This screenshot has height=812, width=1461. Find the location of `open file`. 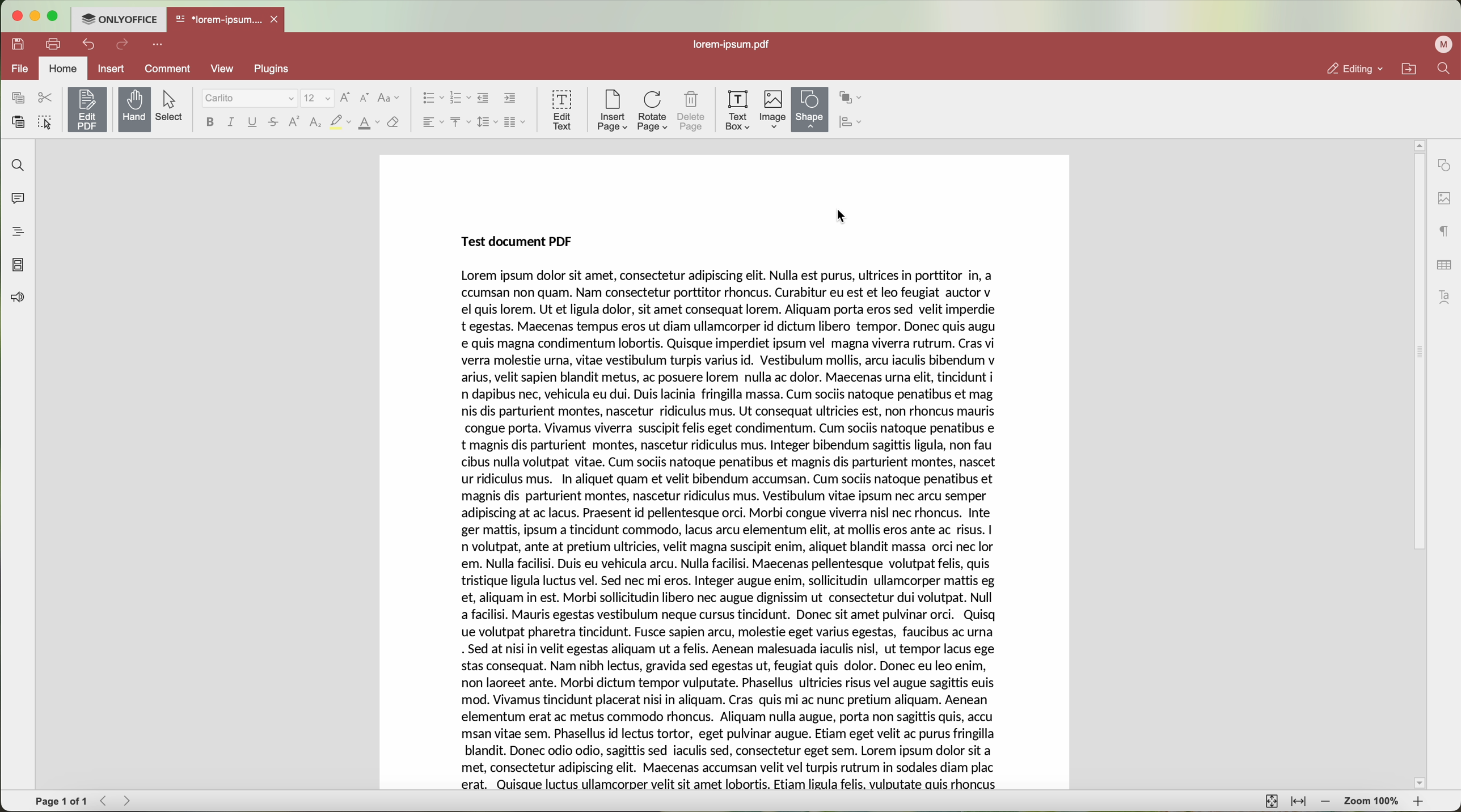

open file is located at coordinates (227, 20).